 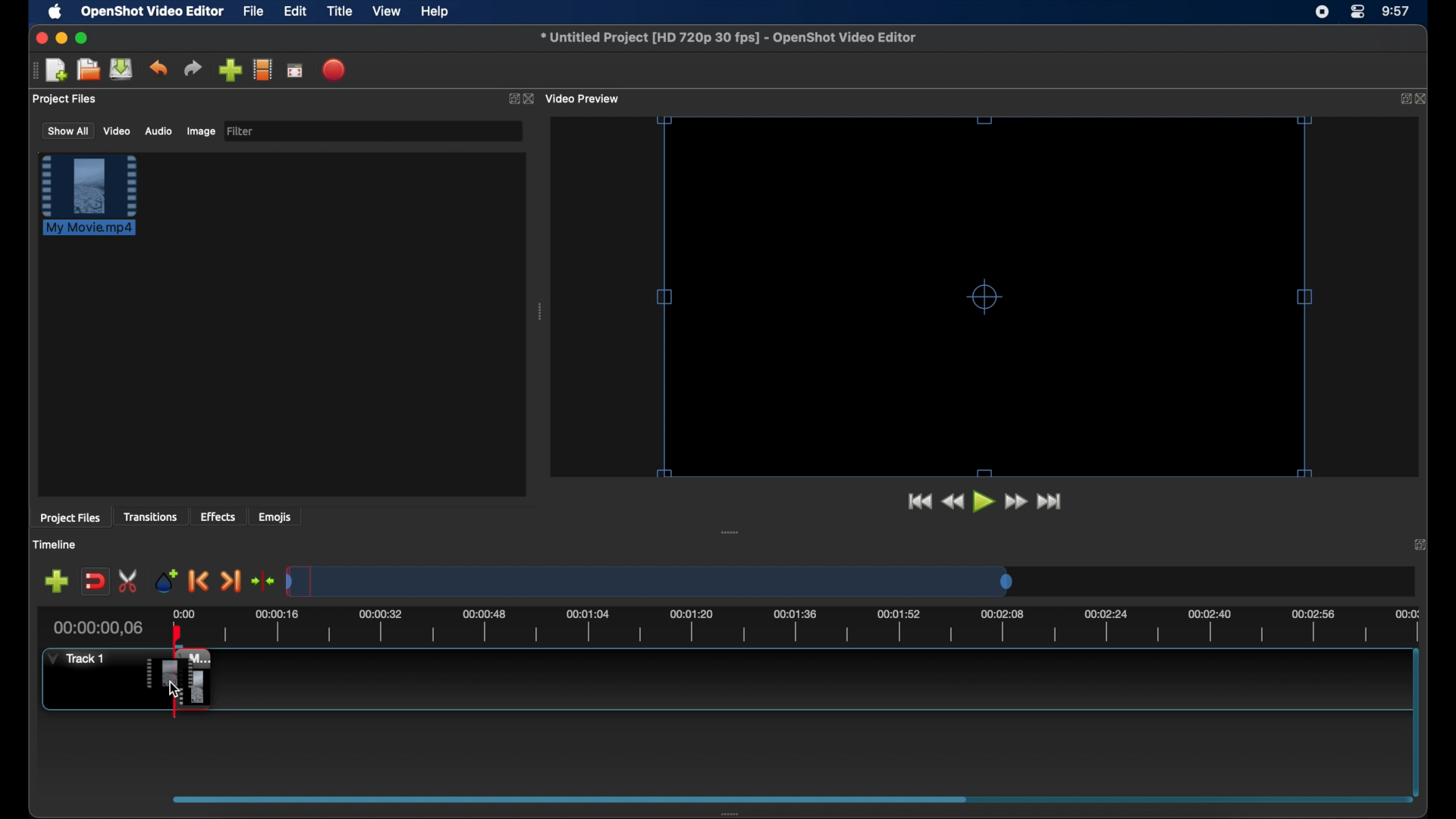 What do you see at coordinates (295, 12) in the screenshot?
I see `edit` at bounding box center [295, 12].